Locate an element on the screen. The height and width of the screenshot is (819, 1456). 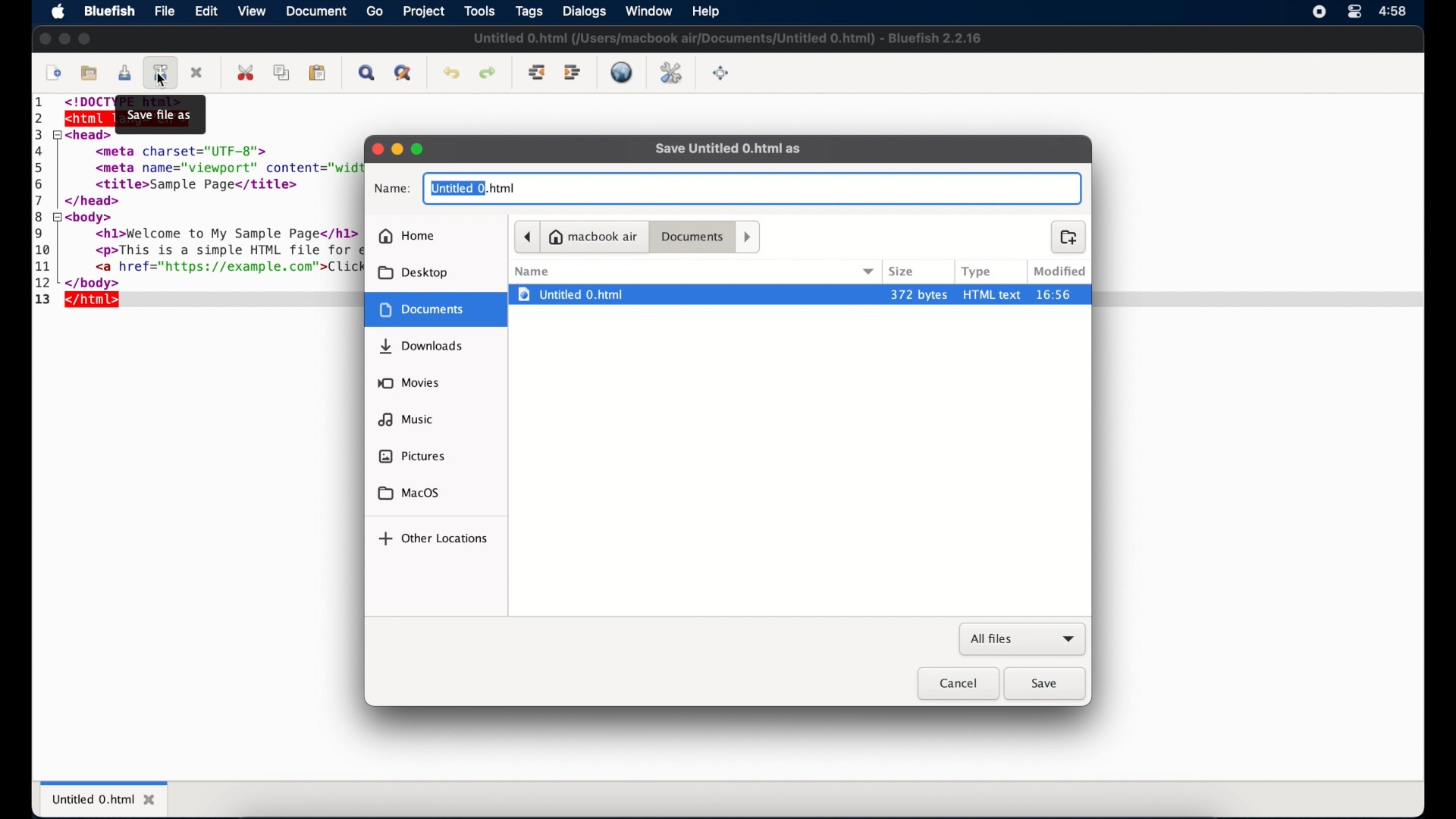
10 is located at coordinates (43, 250).